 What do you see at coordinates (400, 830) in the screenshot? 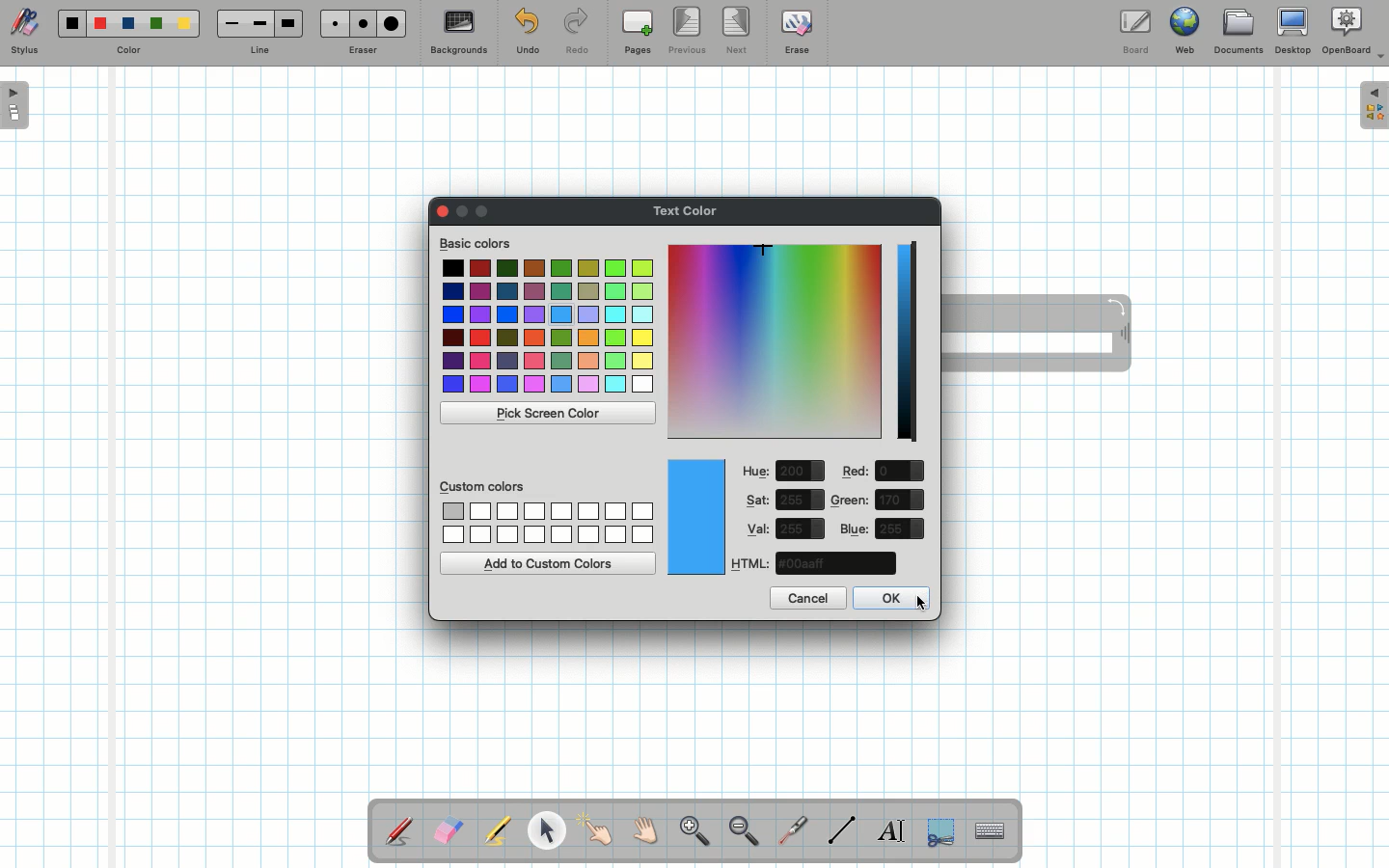
I see `Stylus` at bounding box center [400, 830].